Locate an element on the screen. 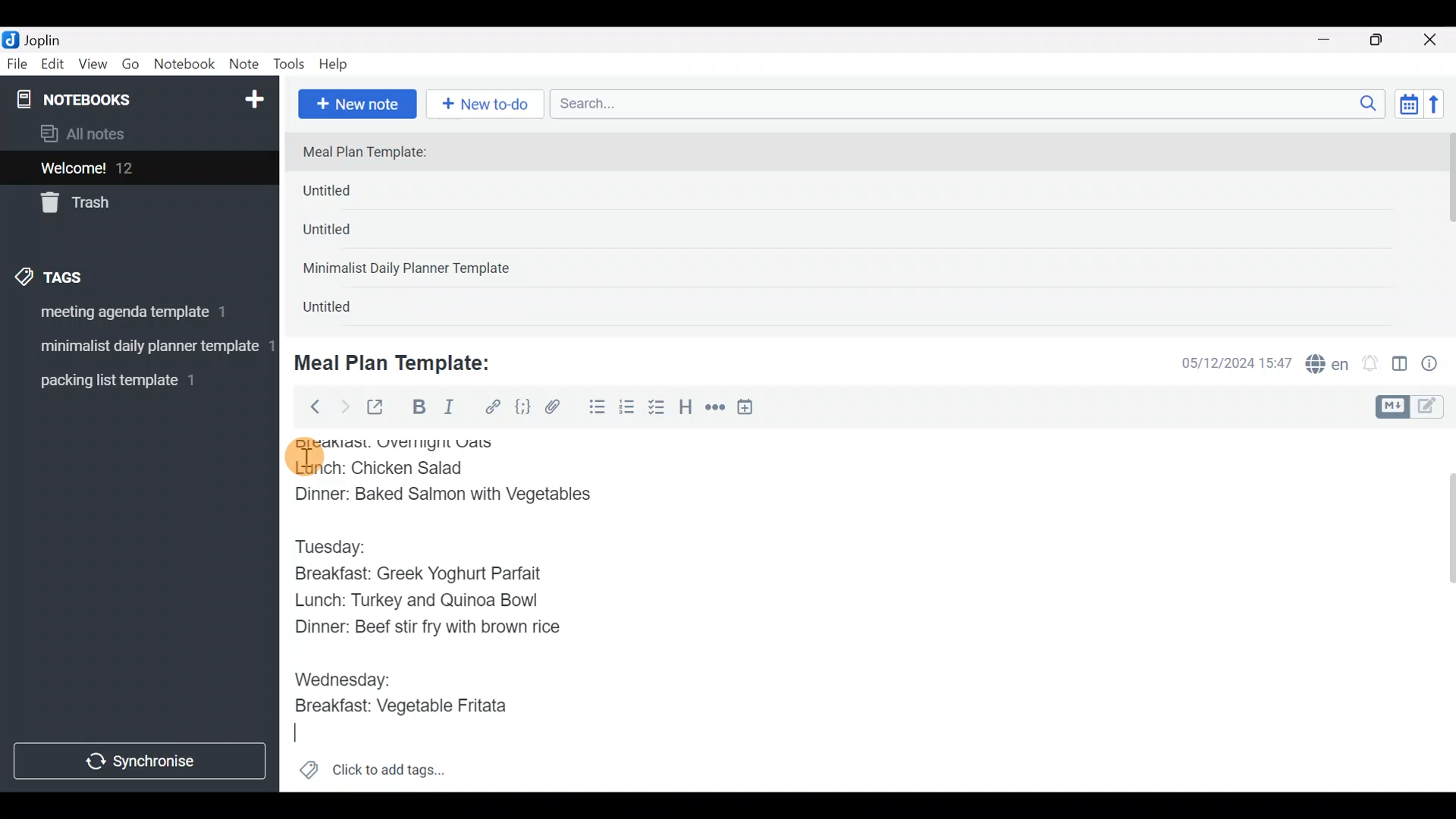  Scroll bar is located at coordinates (1440, 610).